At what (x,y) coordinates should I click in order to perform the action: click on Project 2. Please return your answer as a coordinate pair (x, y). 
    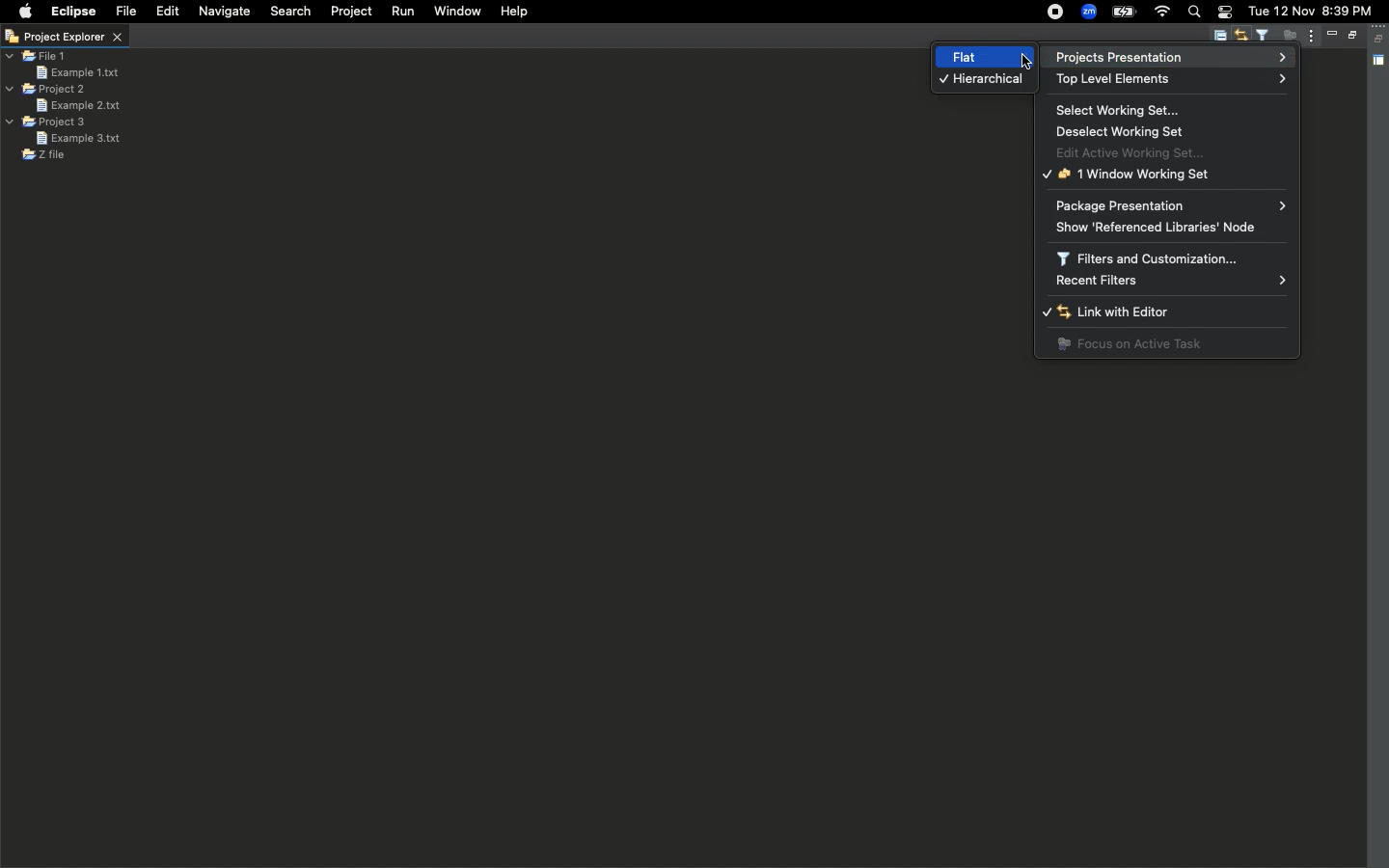
    Looking at the image, I should click on (46, 89).